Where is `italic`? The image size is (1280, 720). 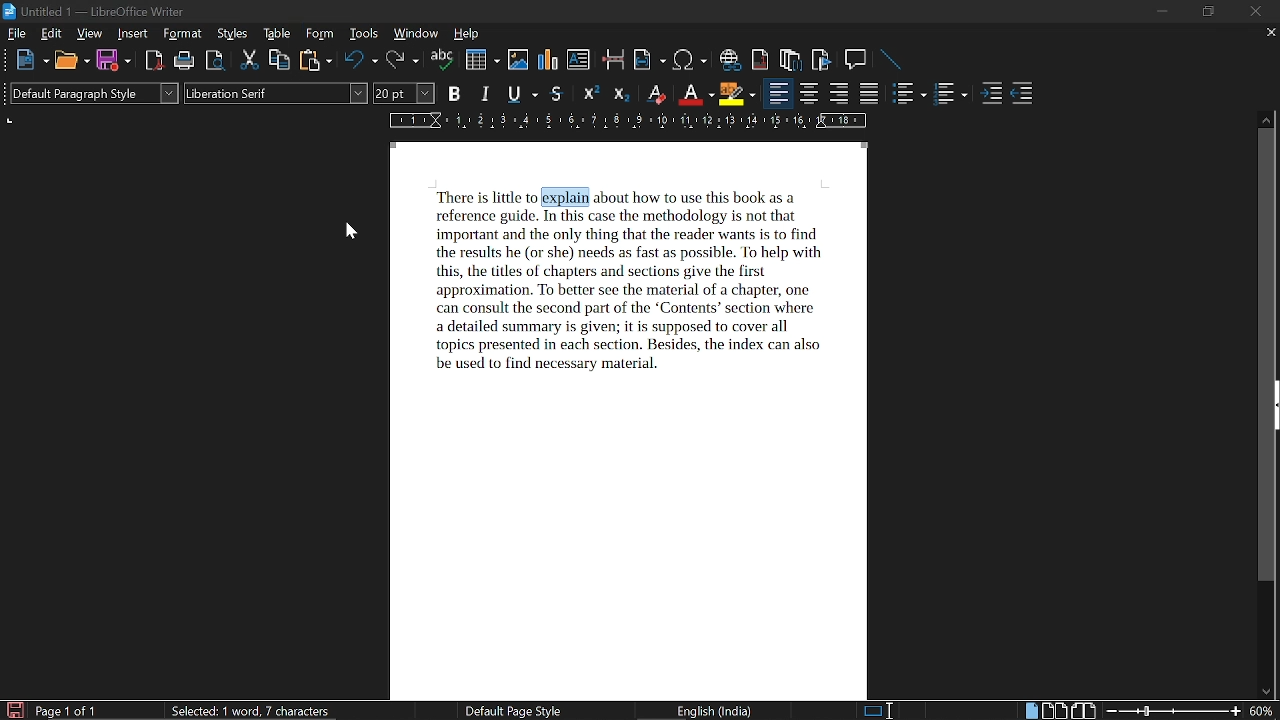
italic is located at coordinates (487, 94).